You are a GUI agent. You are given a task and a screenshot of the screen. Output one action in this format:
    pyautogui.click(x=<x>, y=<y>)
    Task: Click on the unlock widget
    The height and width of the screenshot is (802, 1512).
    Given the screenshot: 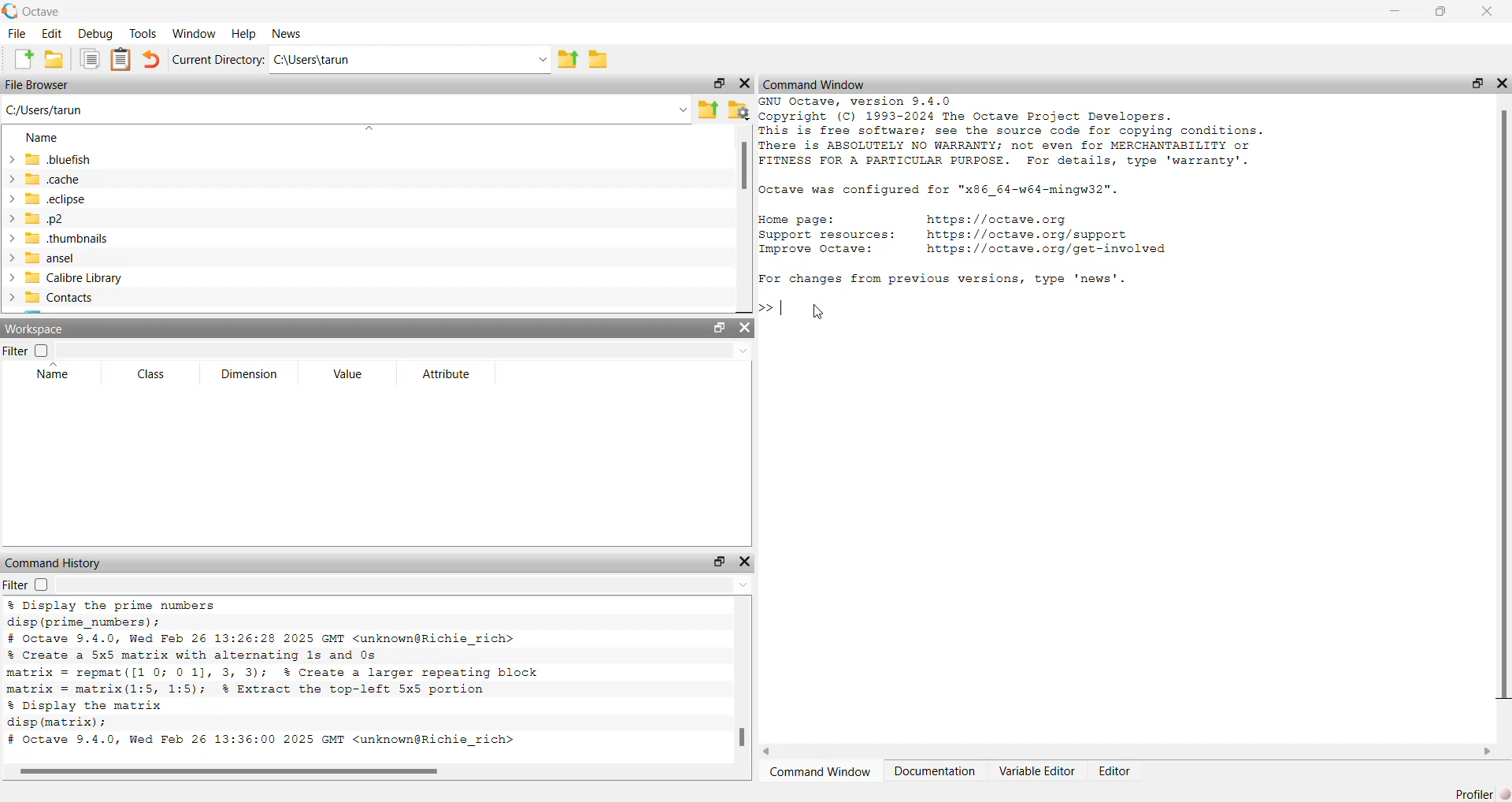 What is the action you would take?
    pyautogui.click(x=717, y=561)
    